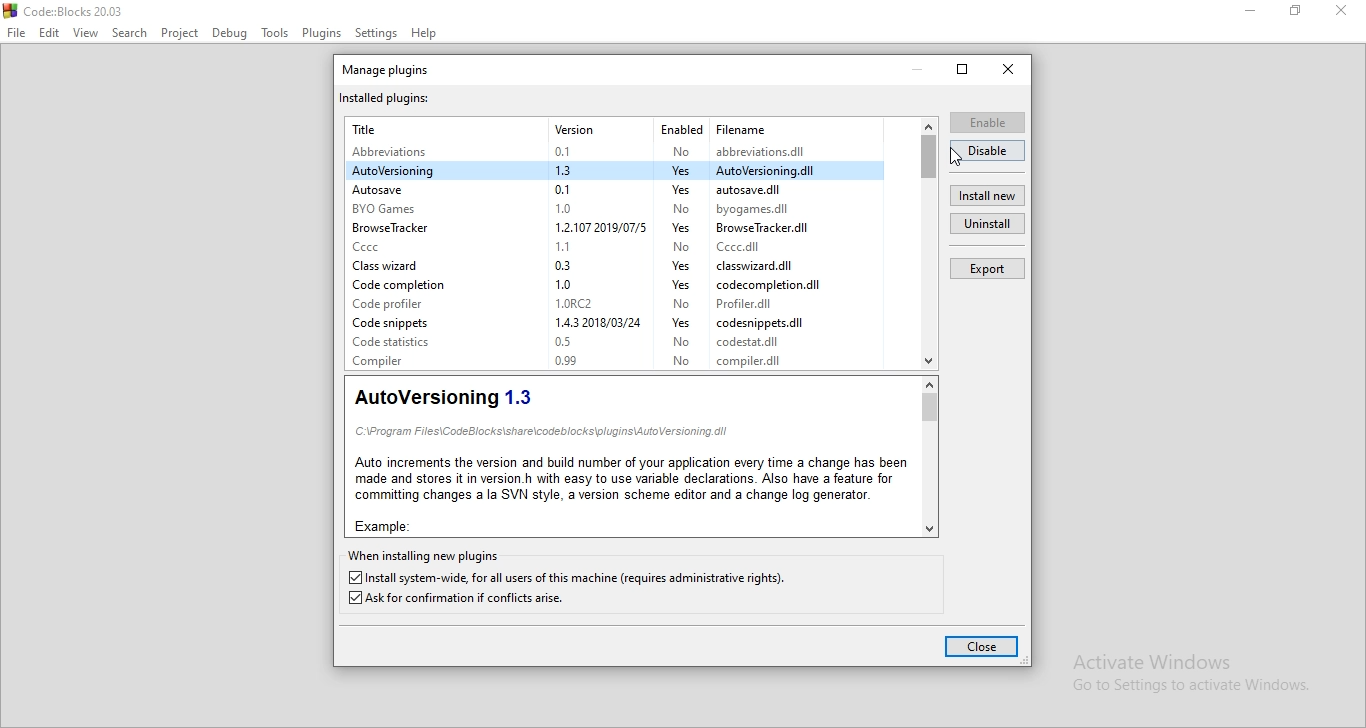  Describe the element at coordinates (680, 228) in the screenshot. I see `yes` at that location.